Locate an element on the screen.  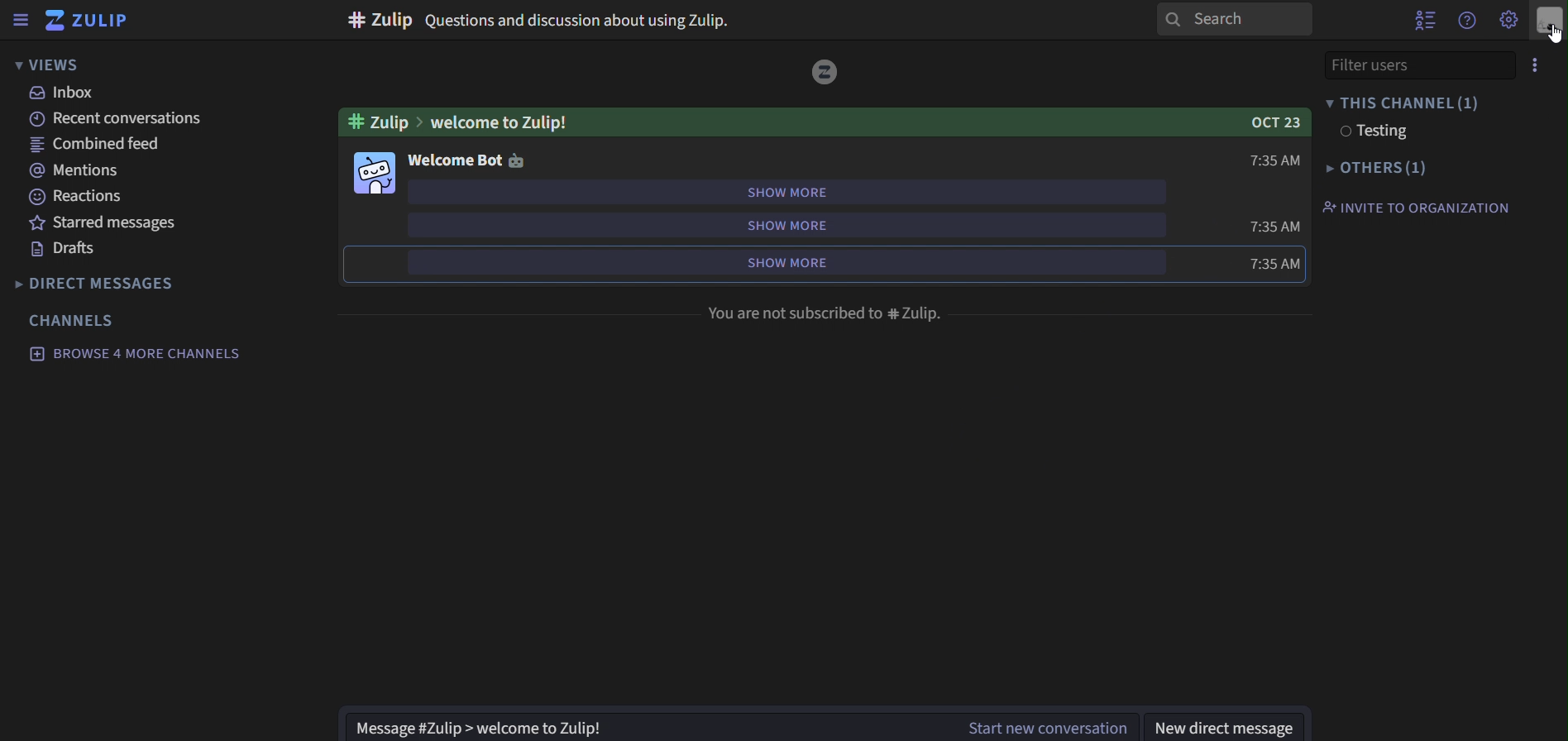
#Zulip > welcome to Zulip! is located at coordinates (466, 122).